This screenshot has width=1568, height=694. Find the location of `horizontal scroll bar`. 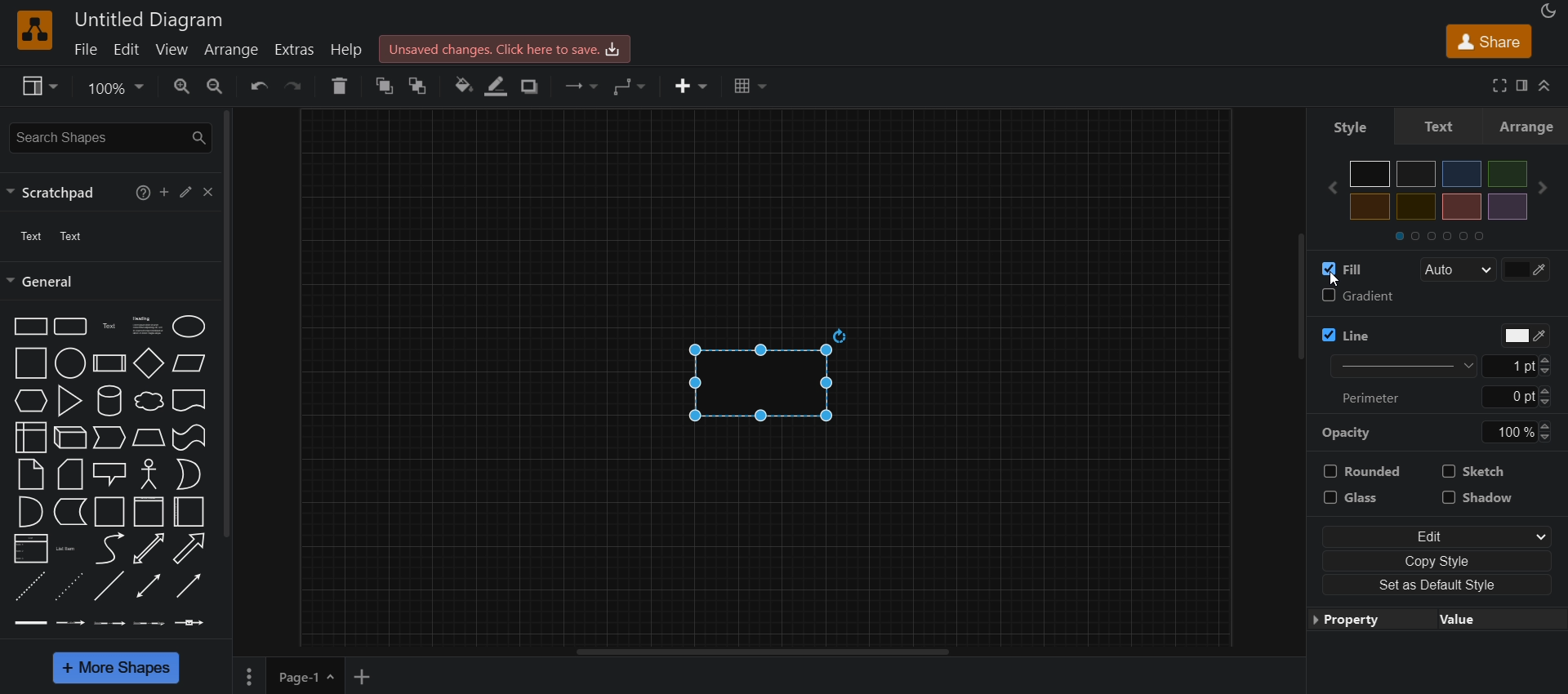

horizontal scroll bar is located at coordinates (765, 652).